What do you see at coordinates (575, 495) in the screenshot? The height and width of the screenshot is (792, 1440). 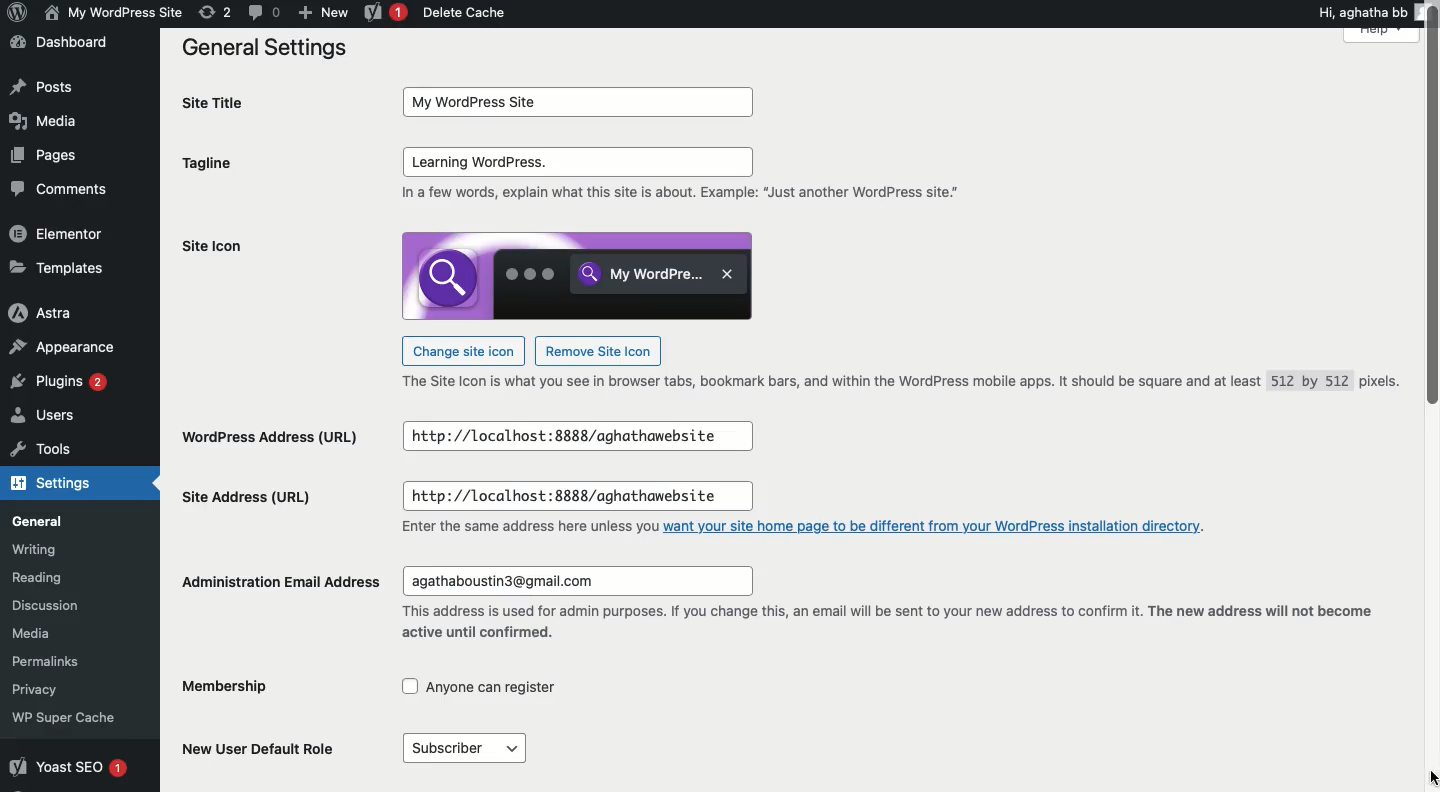 I see `http: //1ocalhost:8888/aghathawebsite` at bounding box center [575, 495].